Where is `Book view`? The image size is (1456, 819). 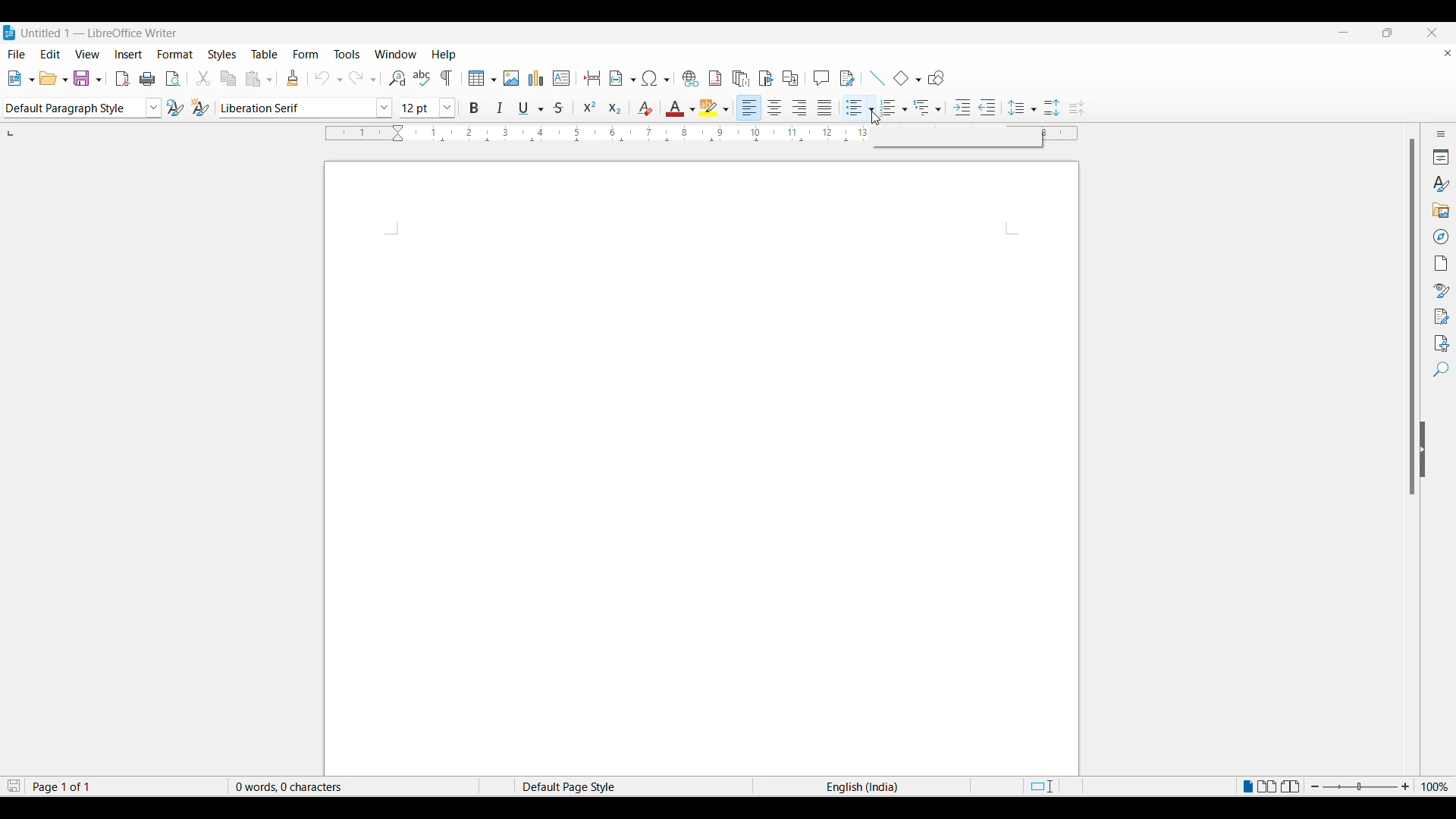 Book view is located at coordinates (1291, 786).